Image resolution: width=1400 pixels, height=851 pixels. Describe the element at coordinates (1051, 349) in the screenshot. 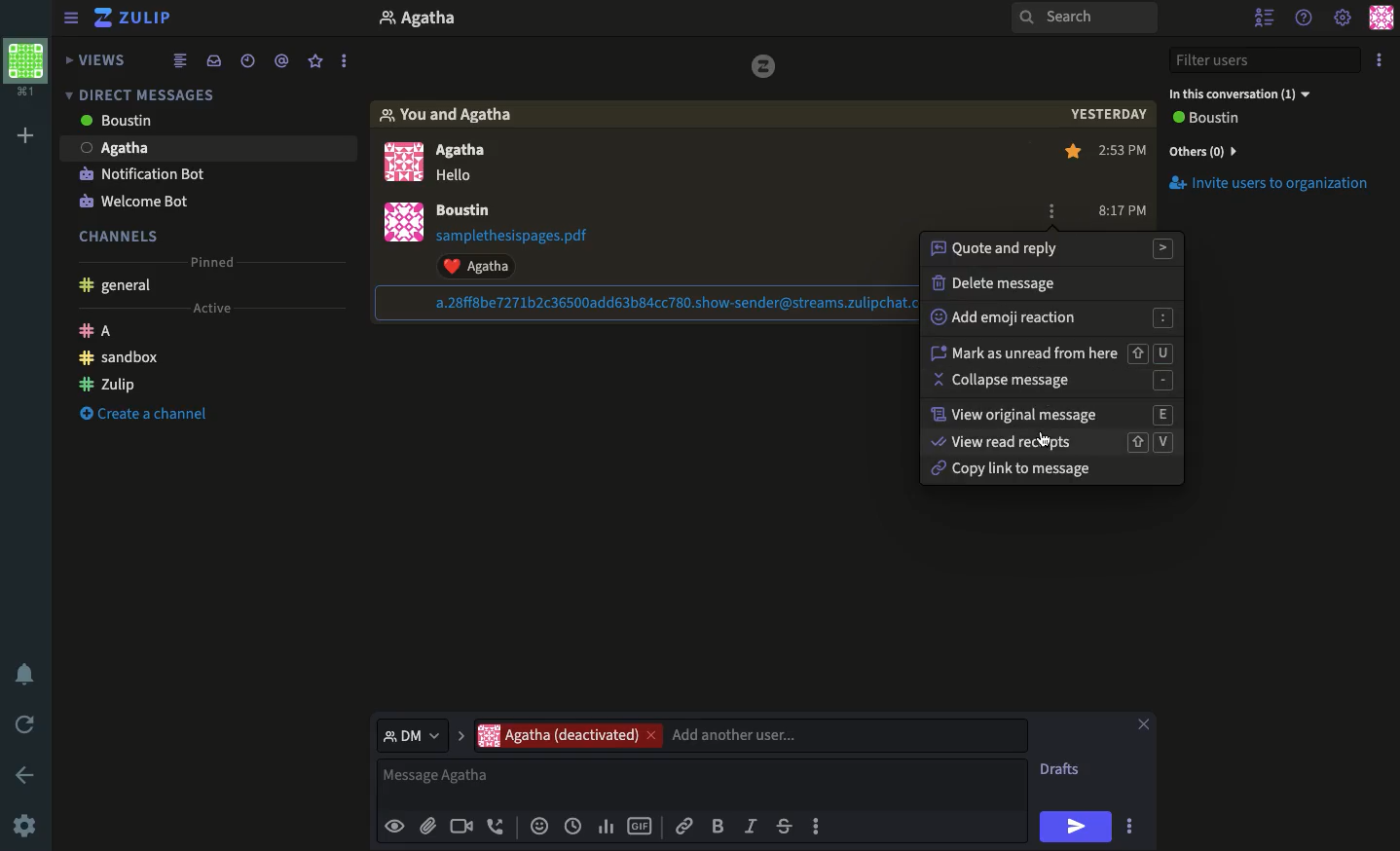

I see `Mark as unread` at that location.